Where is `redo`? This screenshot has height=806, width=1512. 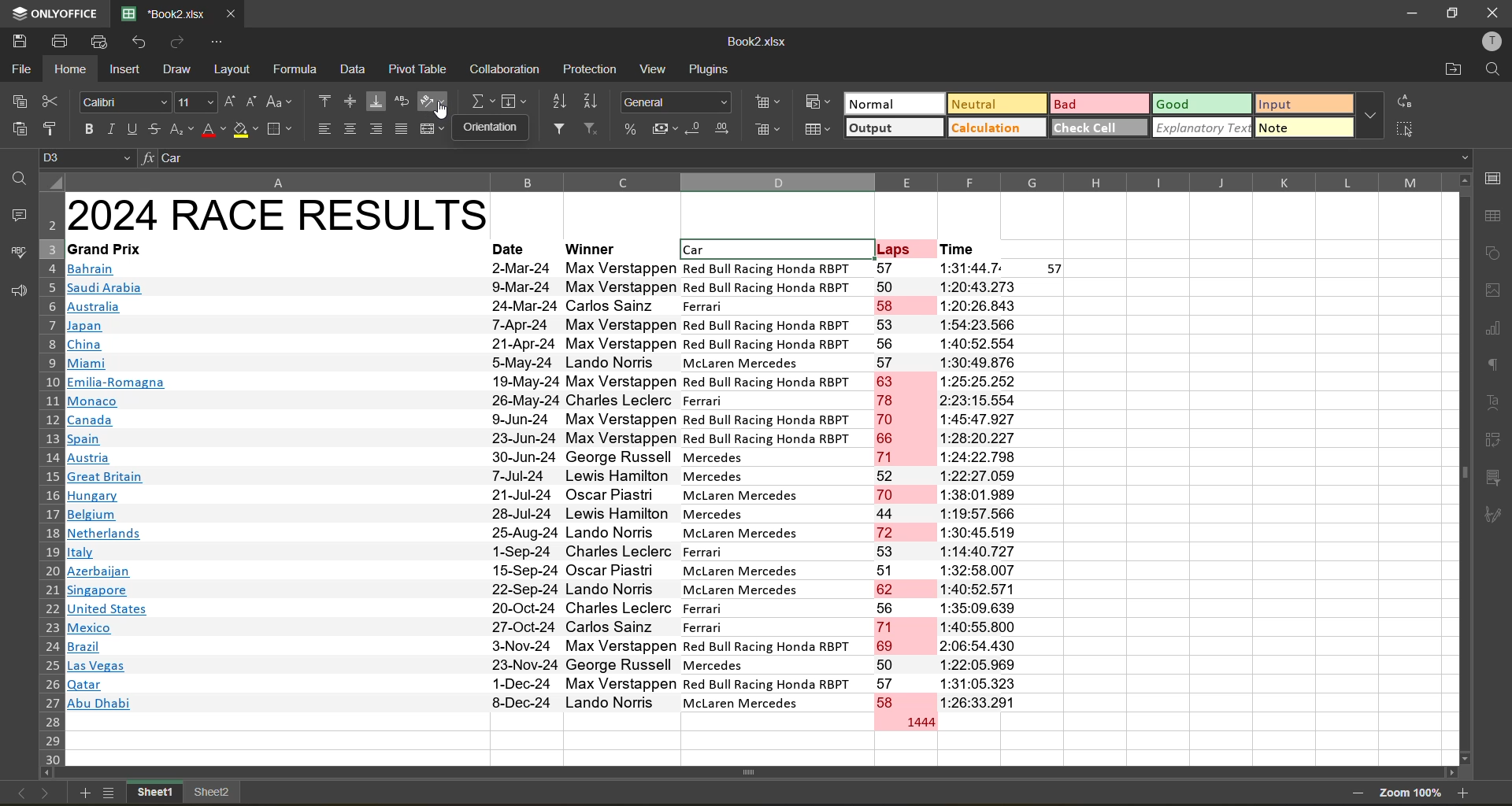
redo is located at coordinates (176, 42).